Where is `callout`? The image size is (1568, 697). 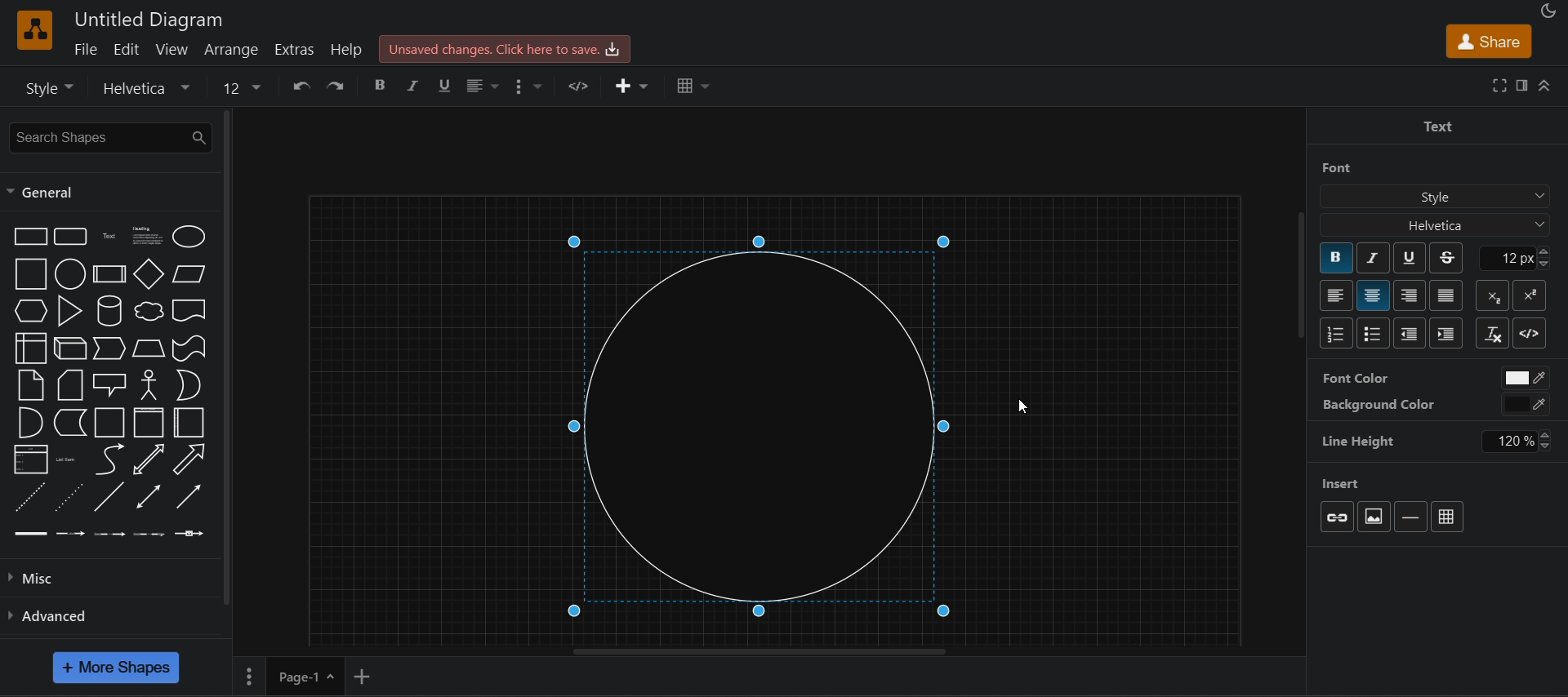
callout is located at coordinates (111, 387).